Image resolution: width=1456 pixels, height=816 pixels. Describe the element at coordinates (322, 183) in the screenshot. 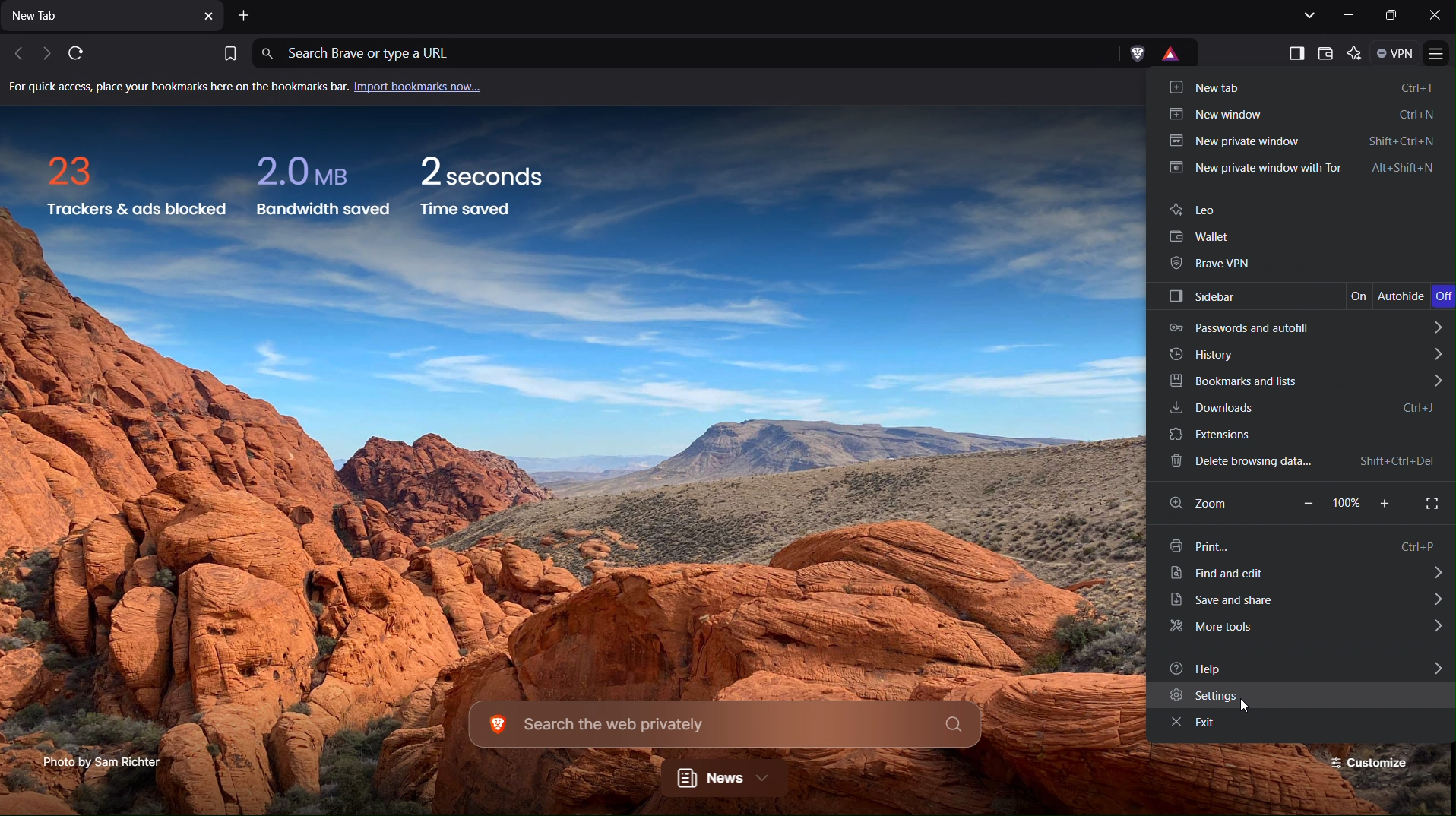

I see `Bandwidth saved` at that location.